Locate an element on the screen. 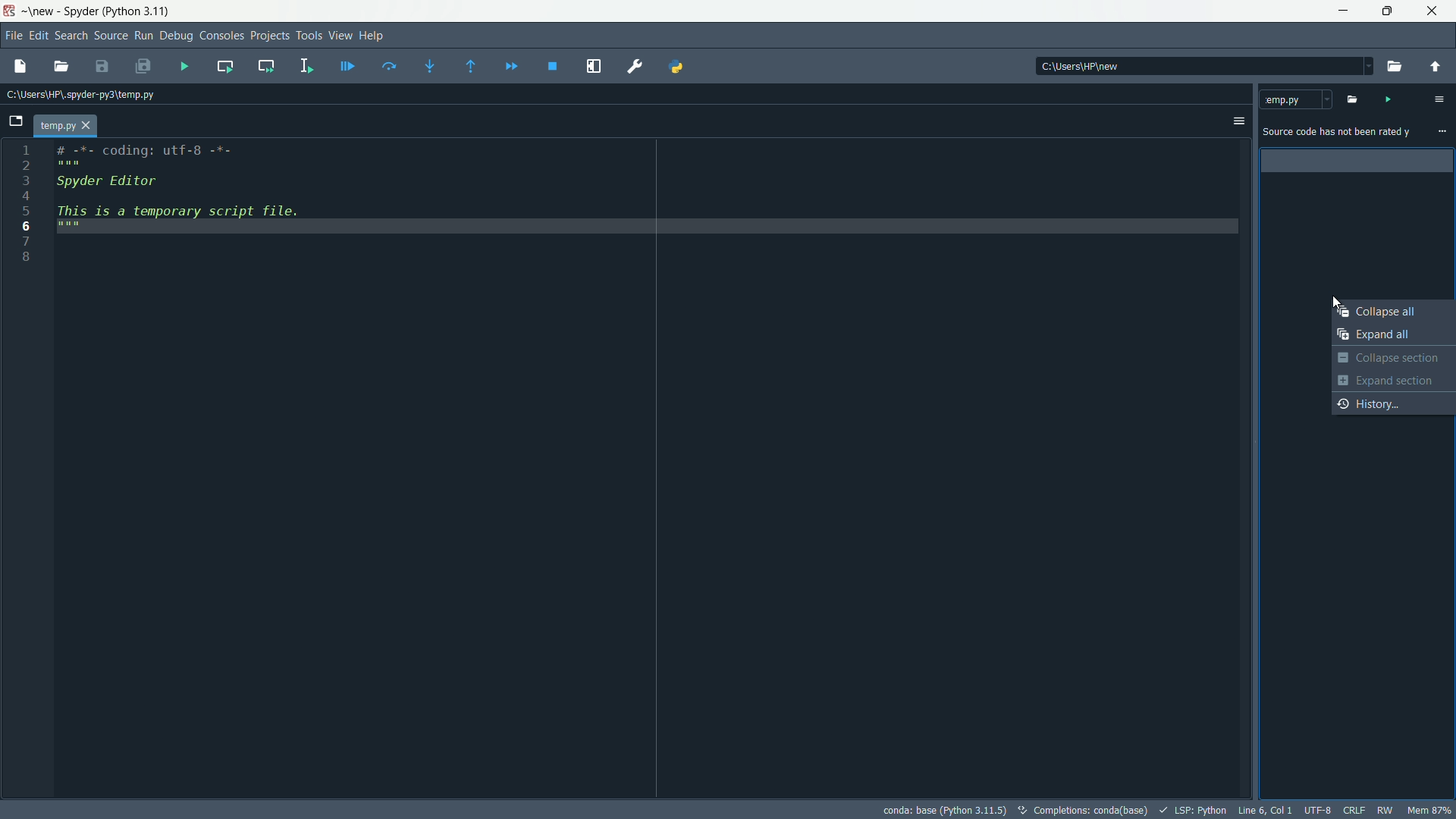 This screenshot has width=1456, height=819. # =-%=- Coding: uti-o -7- is located at coordinates (140, 155).